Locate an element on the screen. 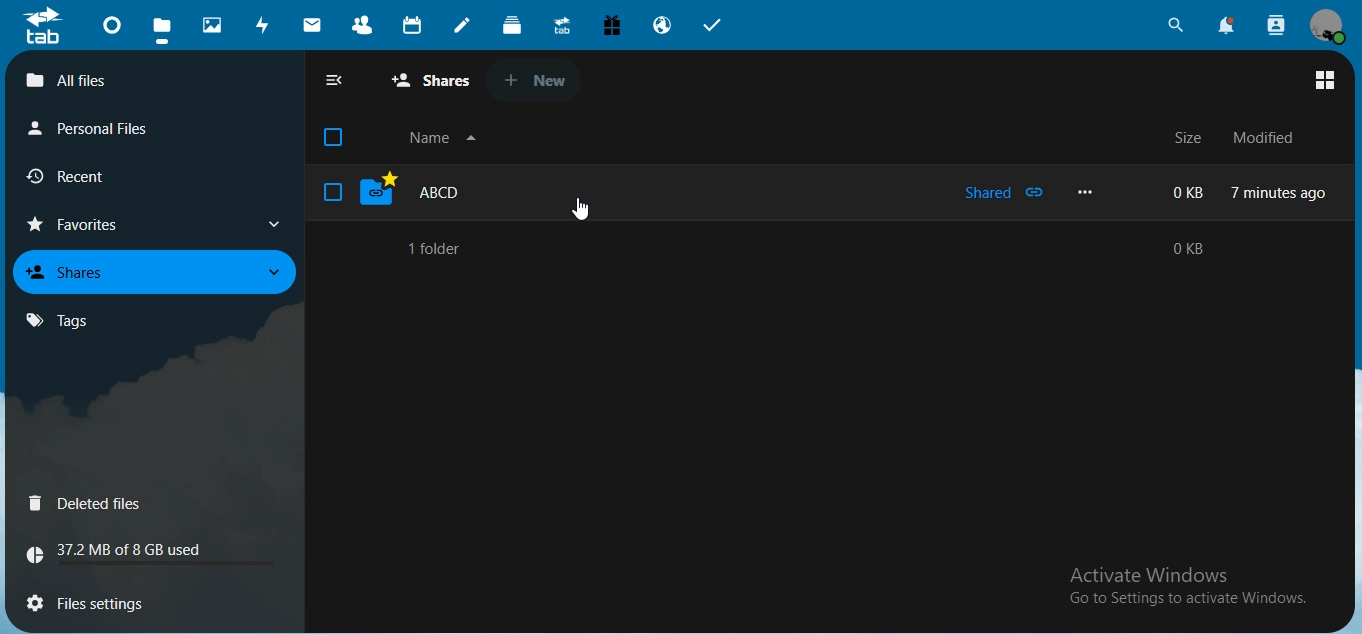  1 folder is located at coordinates (433, 249).